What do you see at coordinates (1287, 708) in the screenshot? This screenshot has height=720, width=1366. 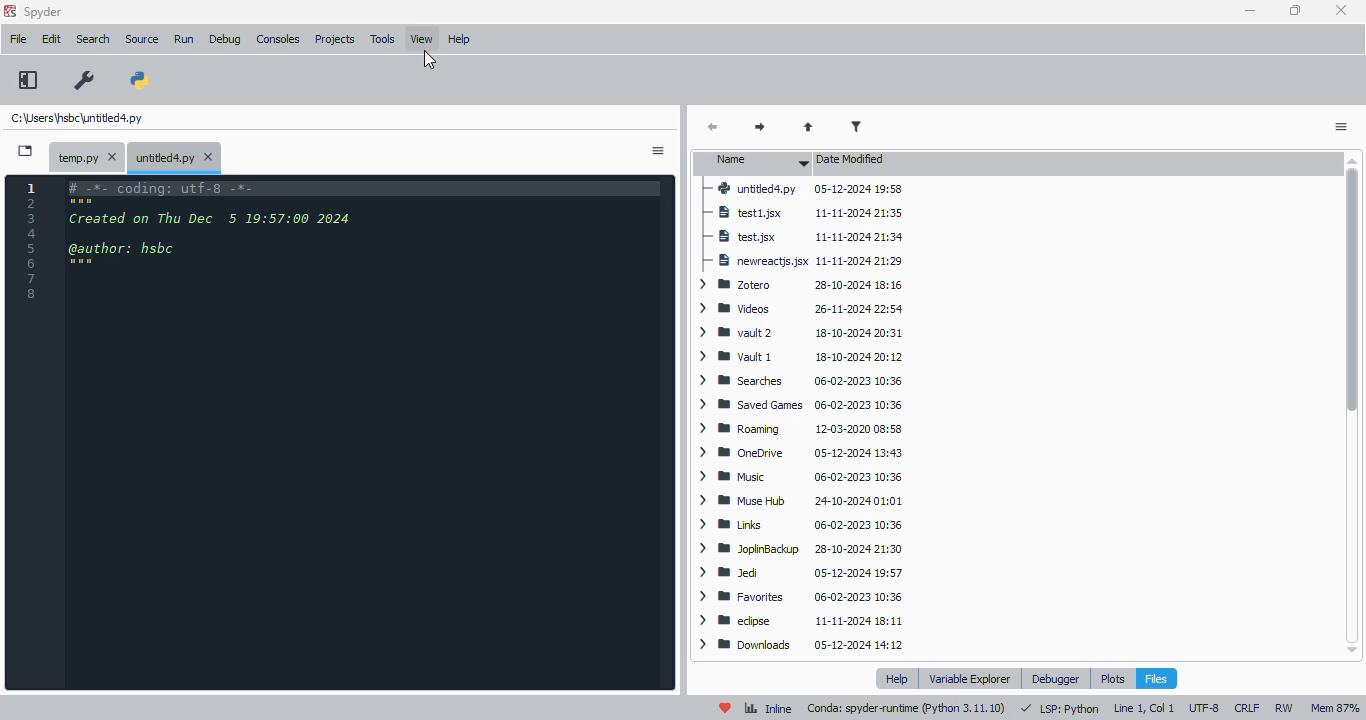 I see `RW` at bounding box center [1287, 708].